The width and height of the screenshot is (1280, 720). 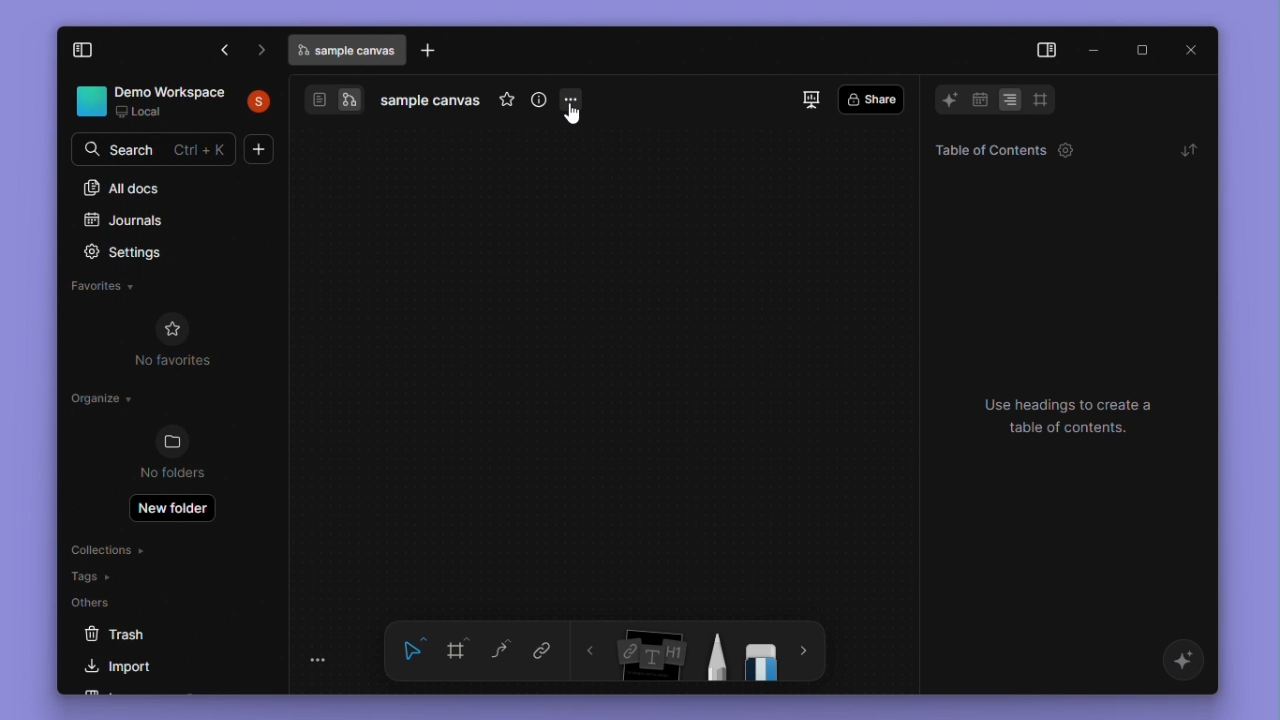 I want to click on Collections, so click(x=107, y=548).